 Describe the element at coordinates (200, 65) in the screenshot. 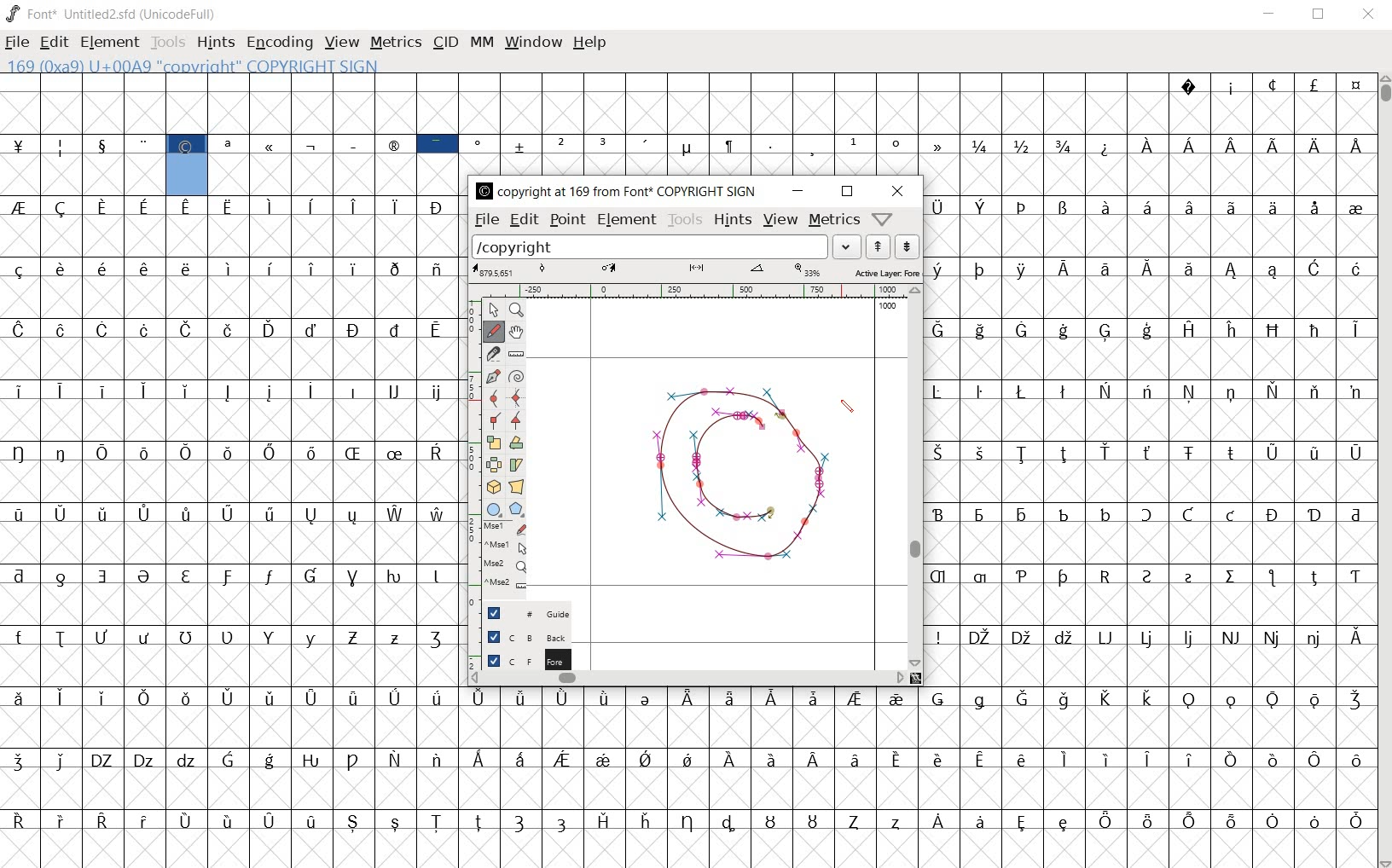

I see `169 (0x9a) U+00A9 "copyright" COPYRIGHT SIGN` at that location.